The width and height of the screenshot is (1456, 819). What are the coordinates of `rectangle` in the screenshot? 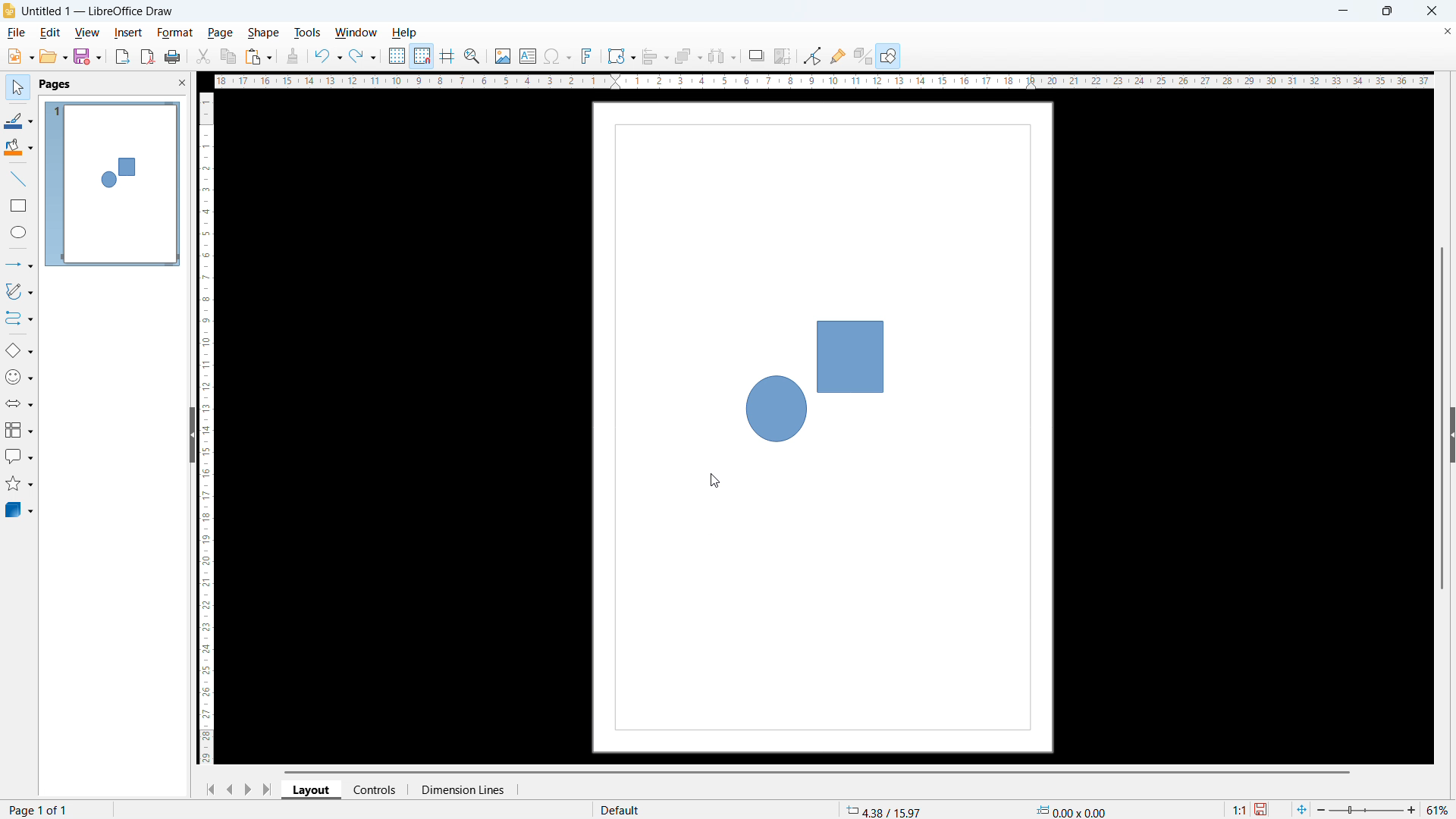 It's located at (18, 205).